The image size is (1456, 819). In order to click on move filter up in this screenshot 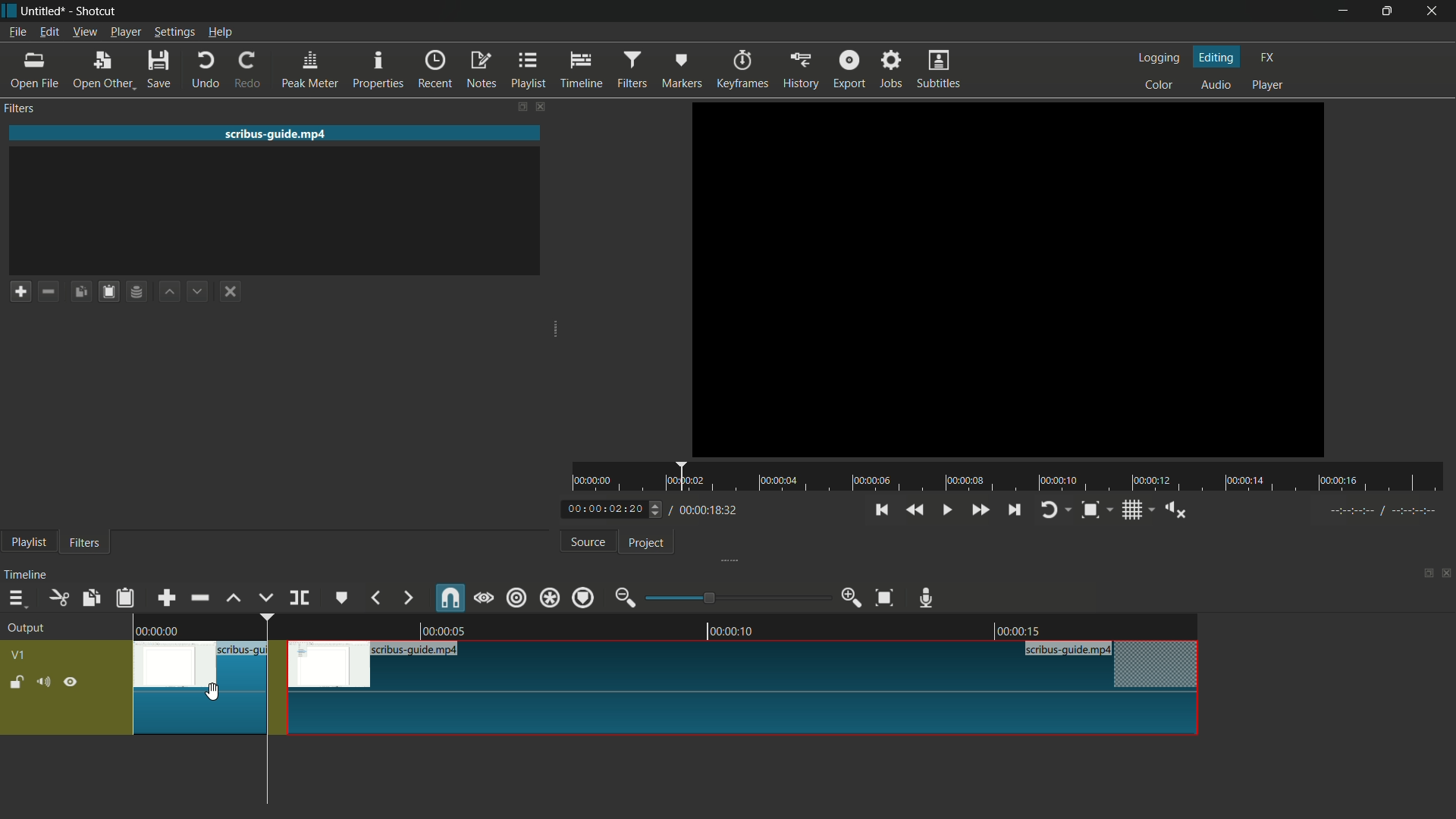, I will do `click(168, 291)`.